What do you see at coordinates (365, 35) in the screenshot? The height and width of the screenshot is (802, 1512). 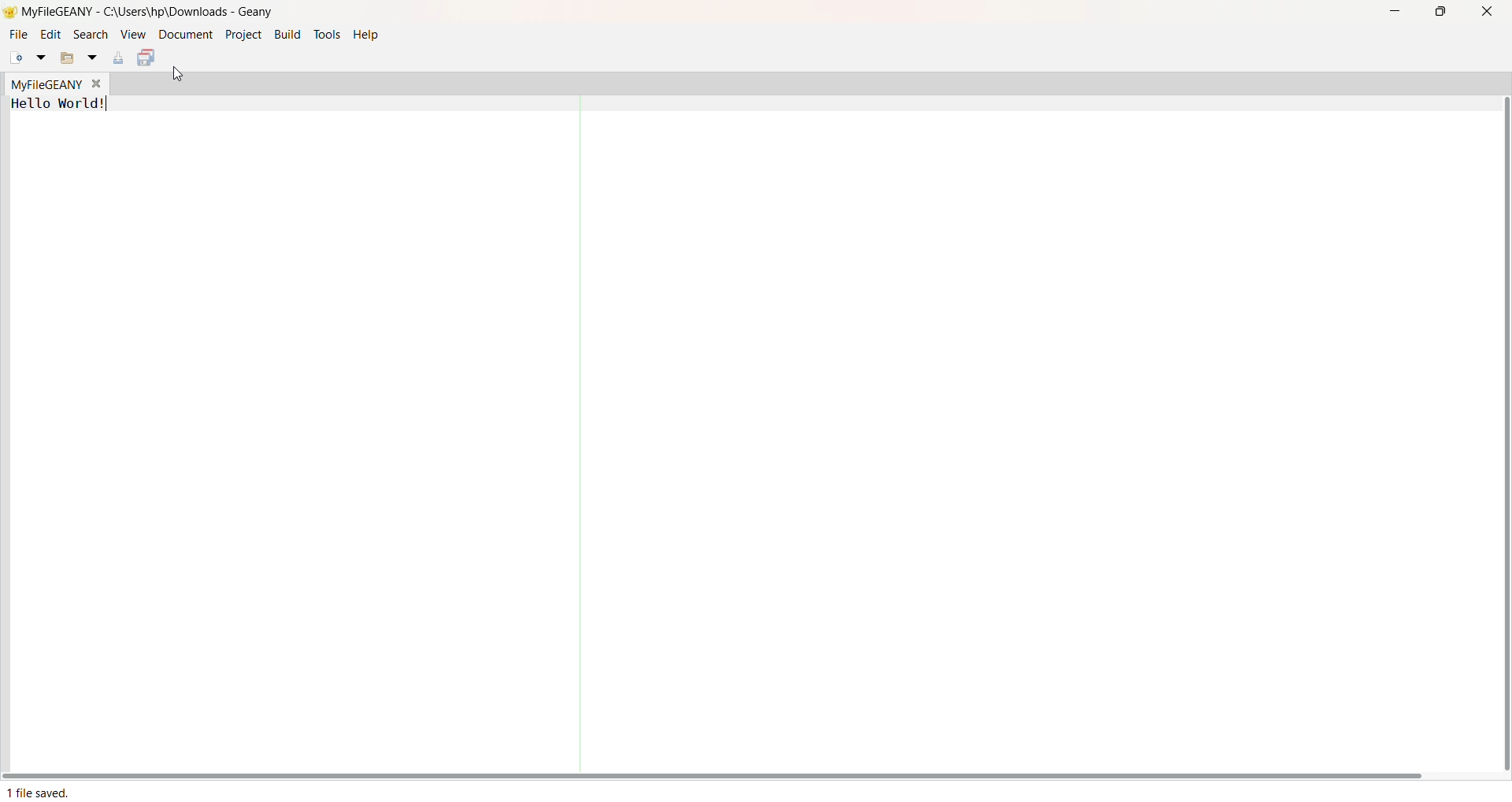 I see `Help` at bounding box center [365, 35].